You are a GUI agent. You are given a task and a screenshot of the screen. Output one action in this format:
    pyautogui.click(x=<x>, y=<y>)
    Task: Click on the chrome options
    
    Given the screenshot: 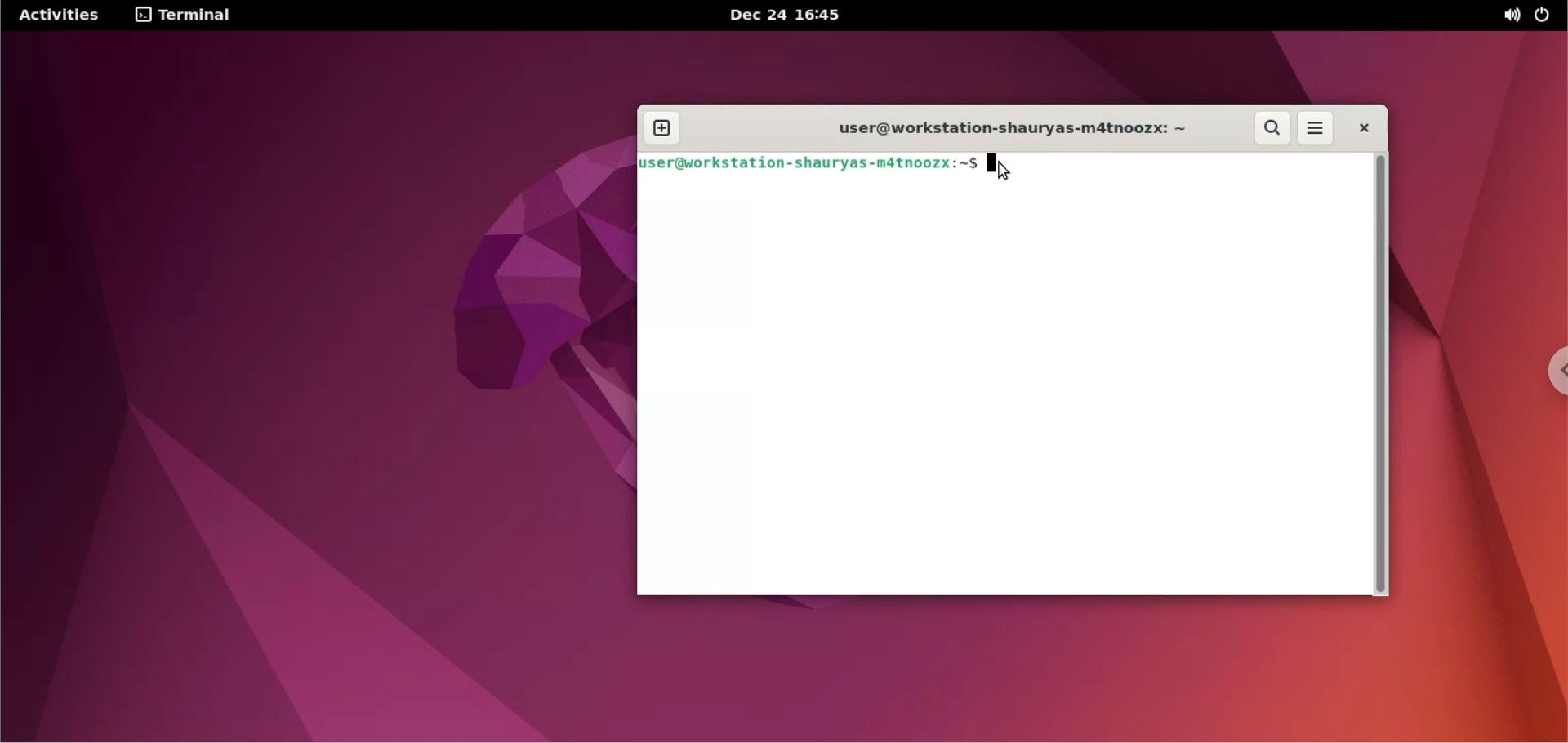 What is the action you would take?
    pyautogui.click(x=1554, y=374)
    